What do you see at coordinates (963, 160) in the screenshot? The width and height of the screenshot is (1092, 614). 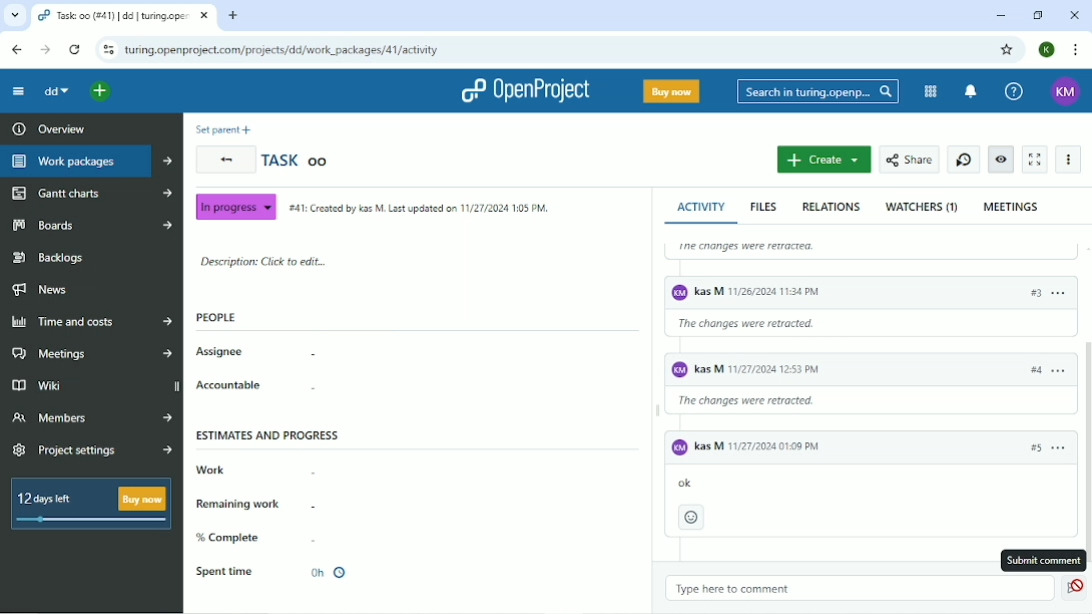 I see `Start new timer` at bounding box center [963, 160].